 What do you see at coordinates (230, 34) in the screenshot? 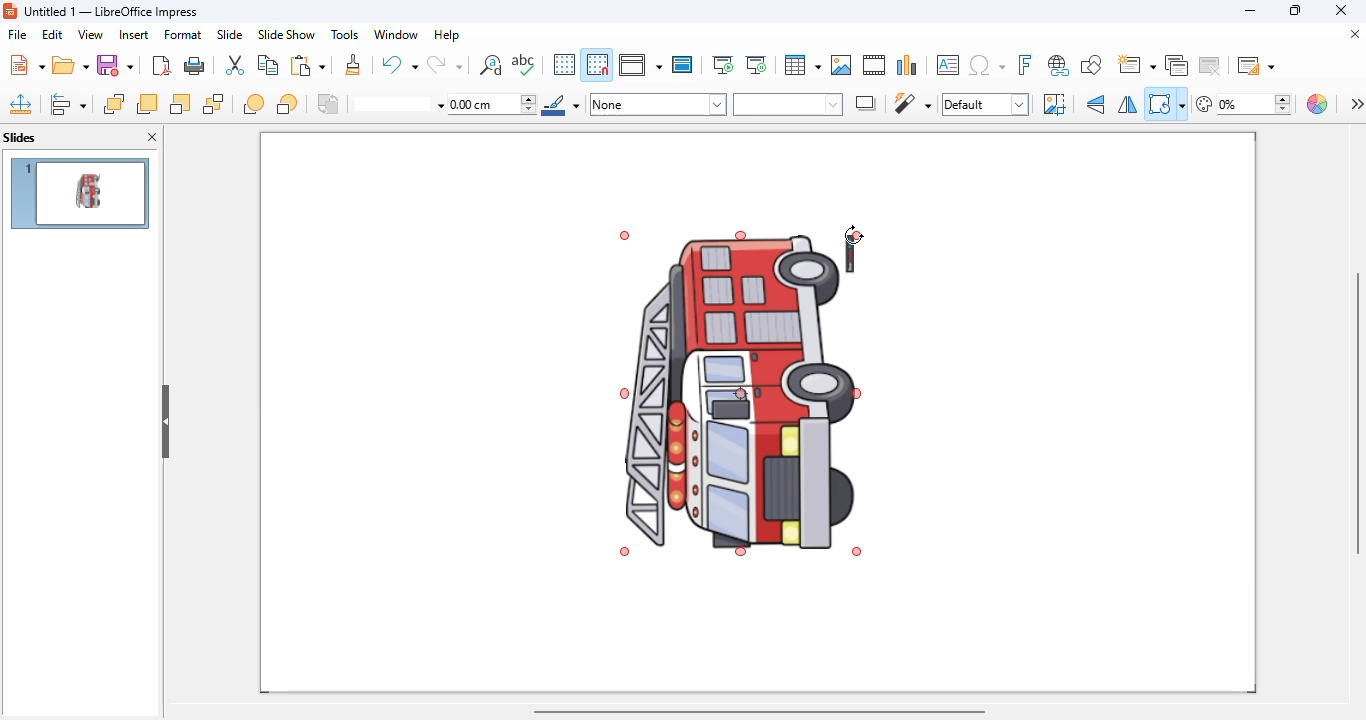
I see `slide` at bounding box center [230, 34].